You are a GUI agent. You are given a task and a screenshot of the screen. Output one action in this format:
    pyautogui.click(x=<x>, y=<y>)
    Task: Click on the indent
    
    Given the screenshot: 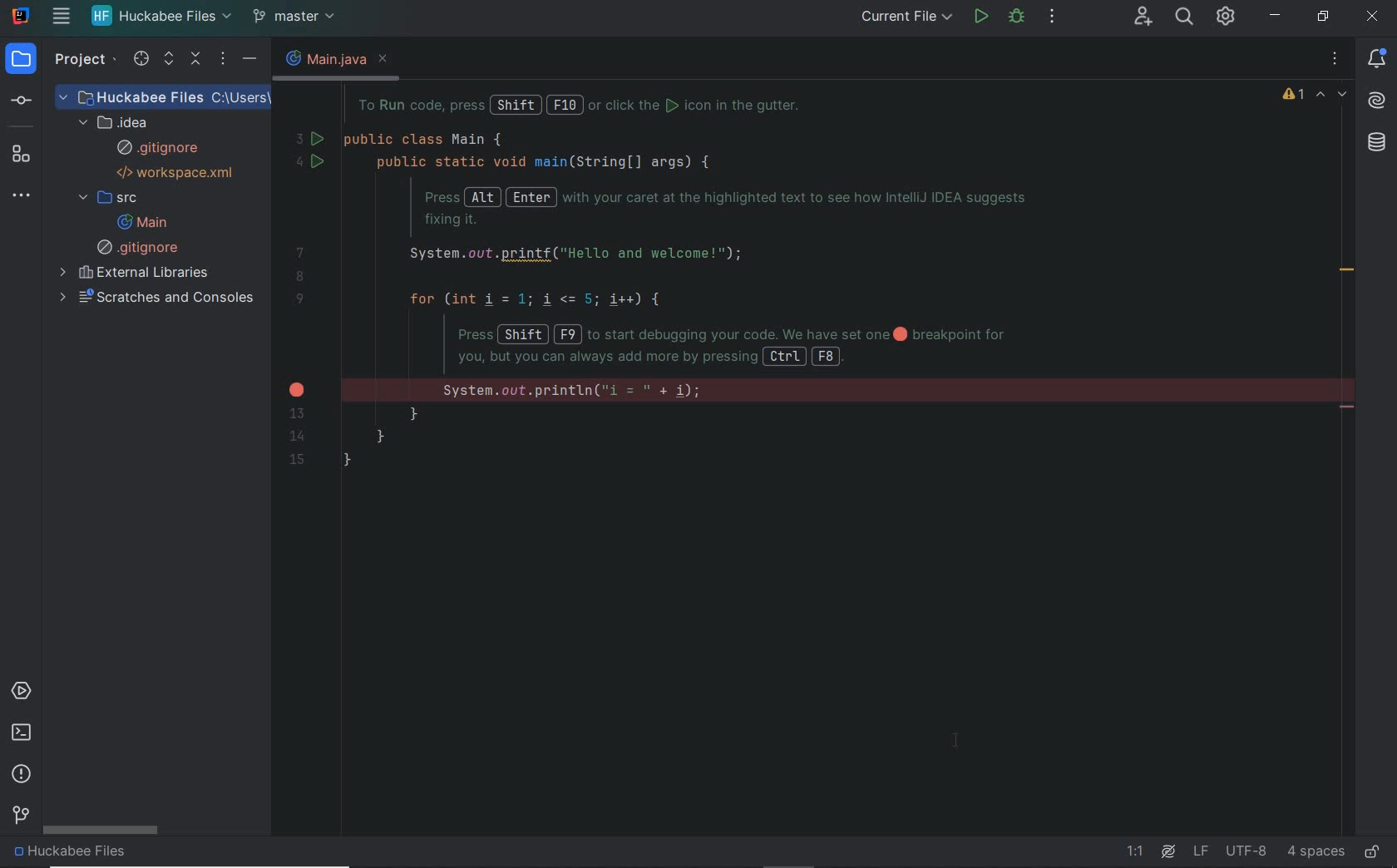 What is the action you would take?
    pyautogui.click(x=1316, y=851)
    